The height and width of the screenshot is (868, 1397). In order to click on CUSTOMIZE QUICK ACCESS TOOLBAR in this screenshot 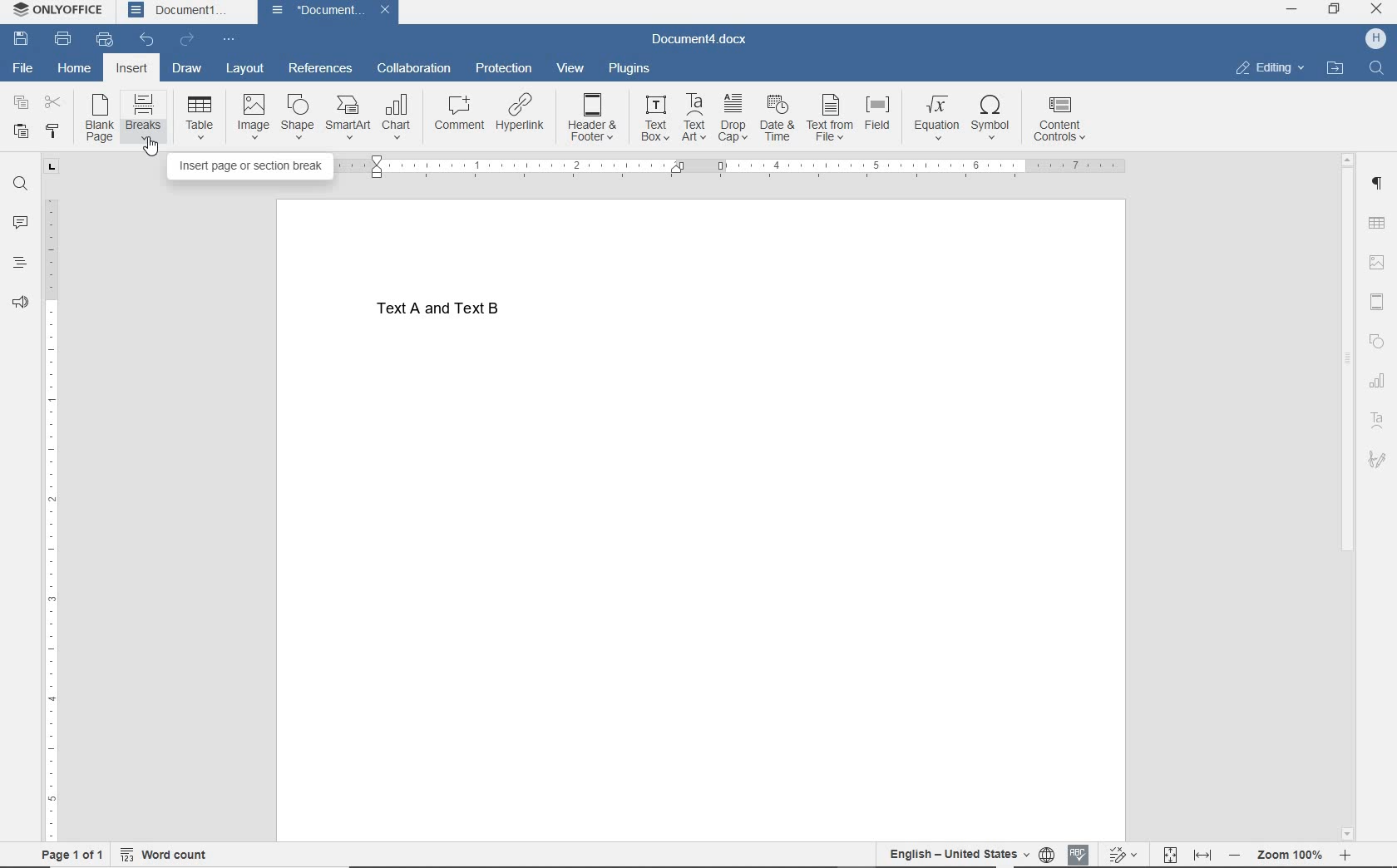, I will do `click(231, 37)`.